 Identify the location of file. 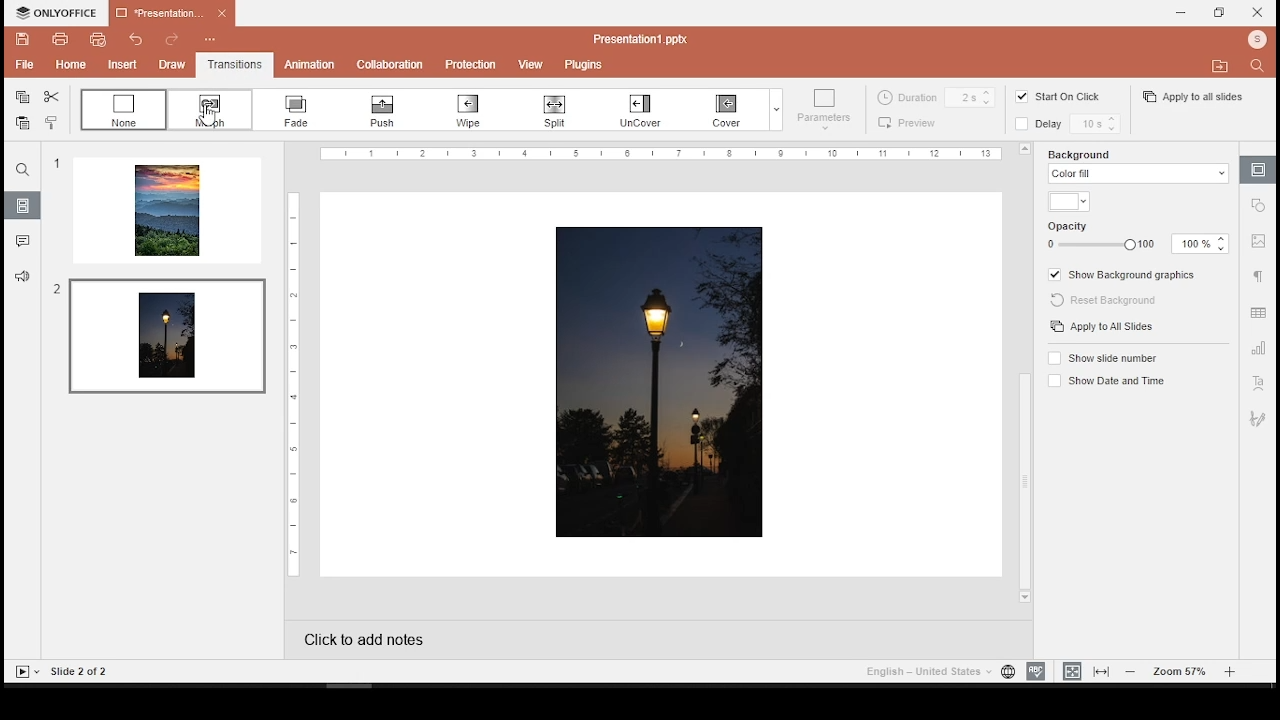
(21, 65).